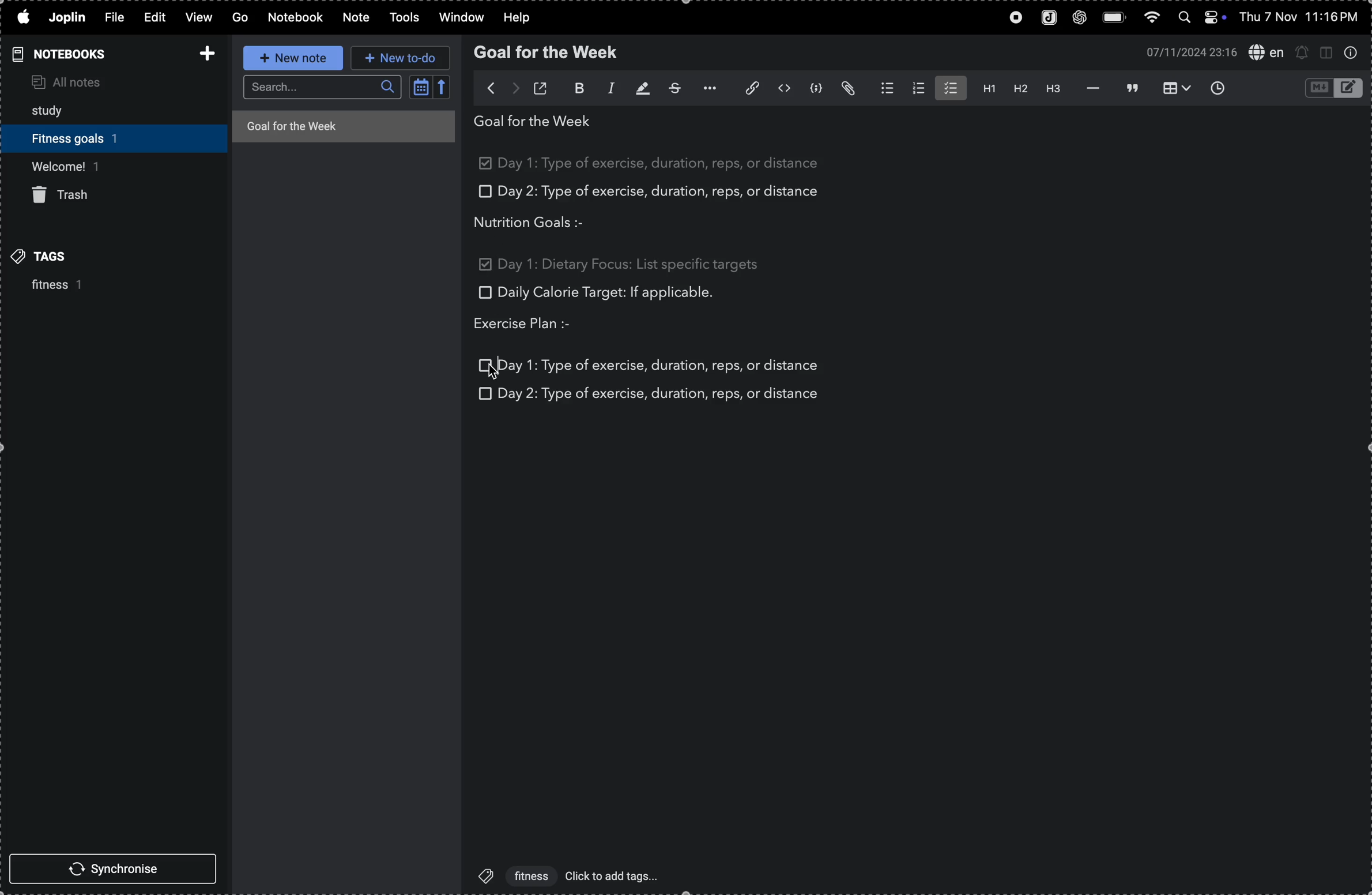 Image resolution: width=1372 pixels, height=895 pixels. I want to click on trash, so click(69, 196).